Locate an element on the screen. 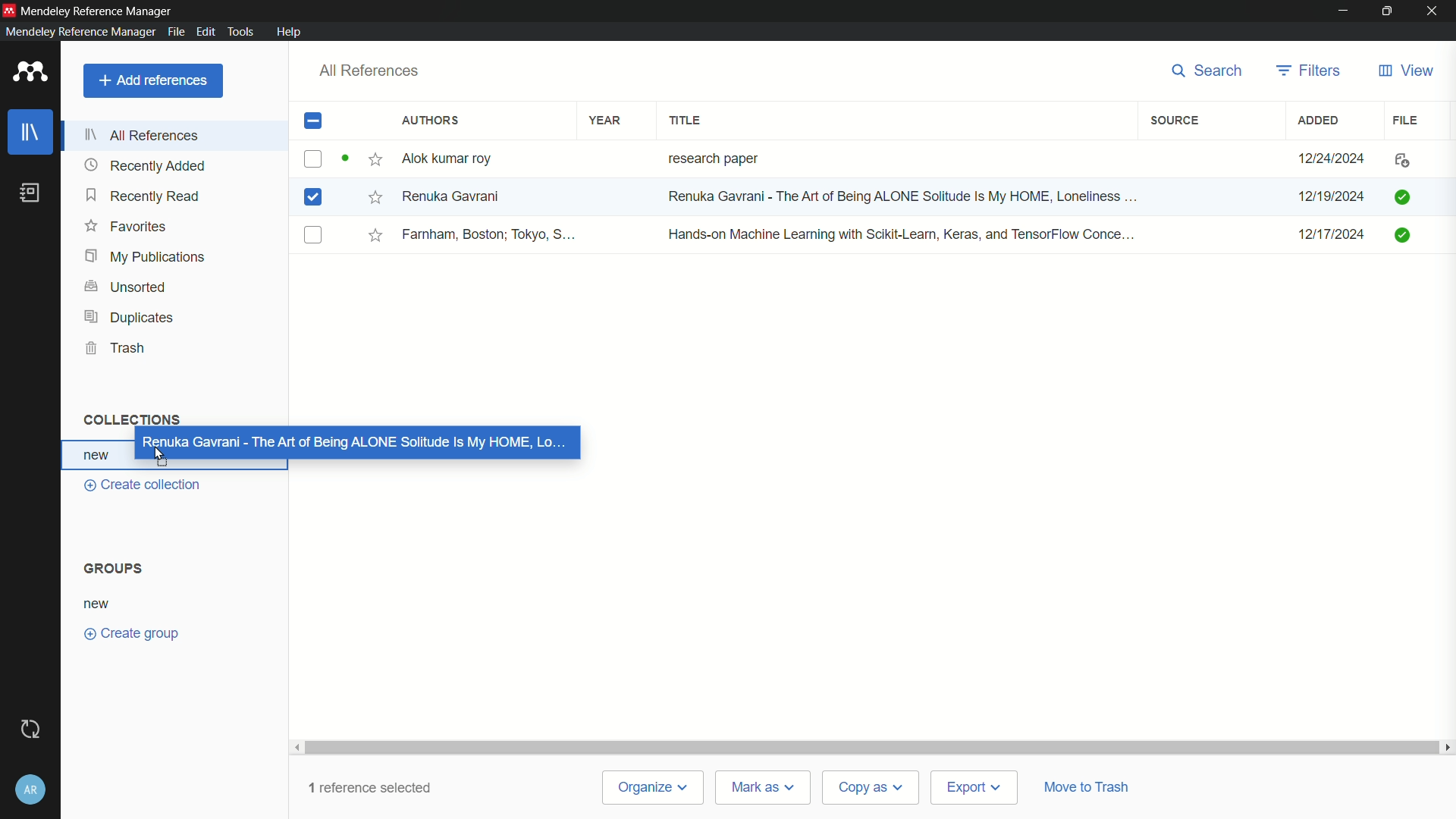  close app is located at coordinates (1434, 11).